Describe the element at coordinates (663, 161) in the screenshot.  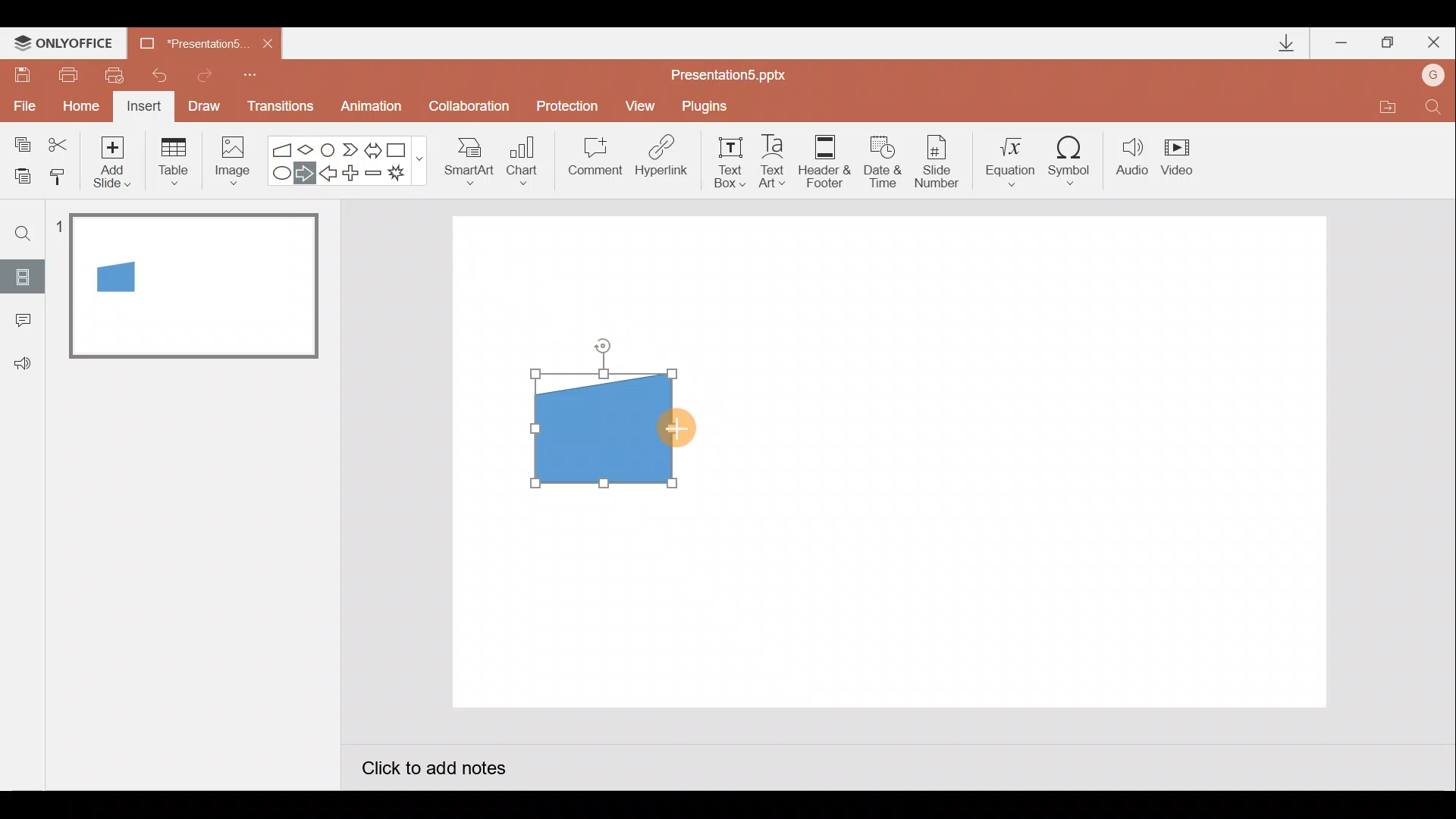
I see `Hyperlink` at that location.